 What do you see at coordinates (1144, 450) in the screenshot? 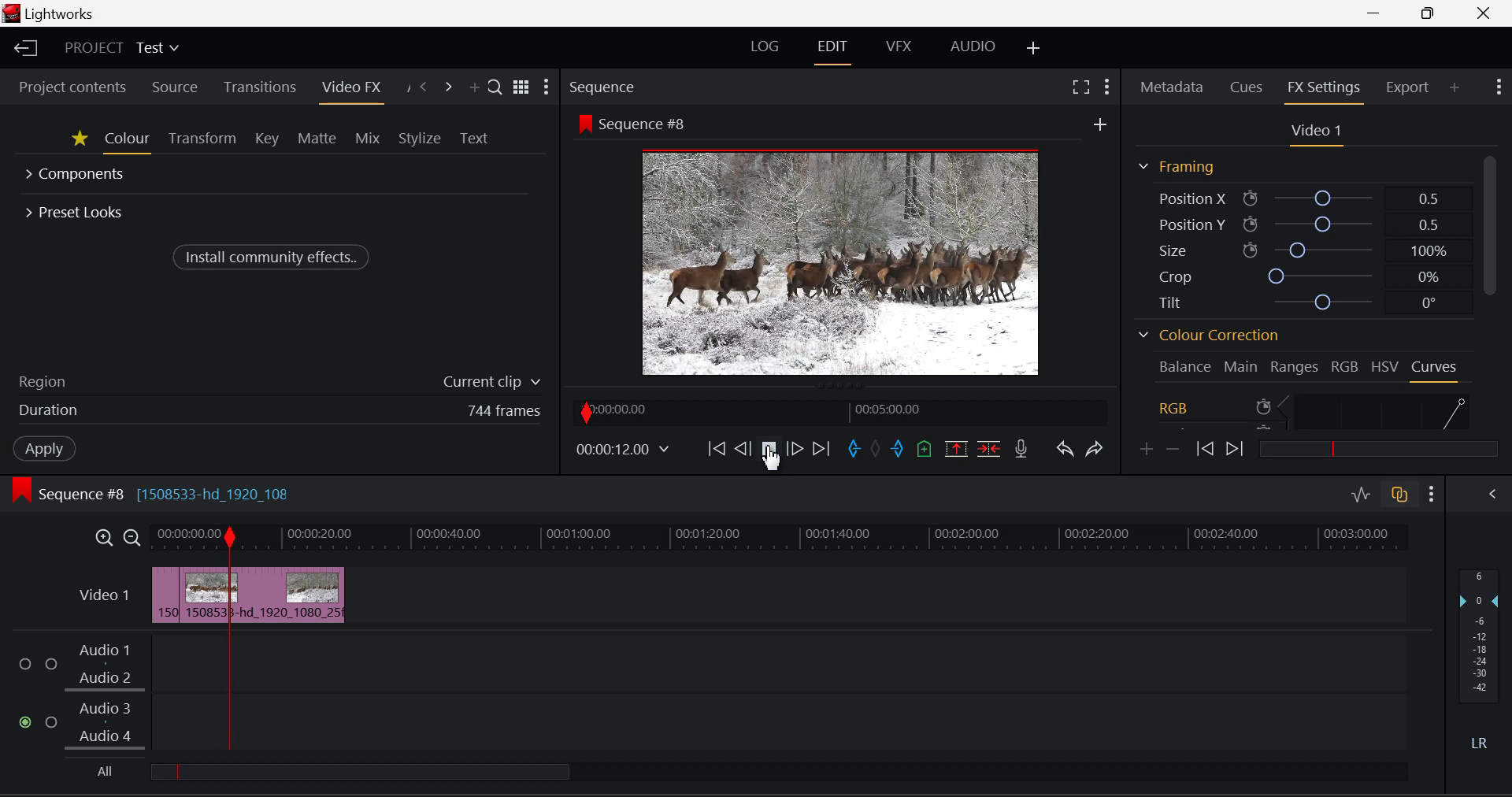
I see `Add keyframe` at bounding box center [1144, 450].